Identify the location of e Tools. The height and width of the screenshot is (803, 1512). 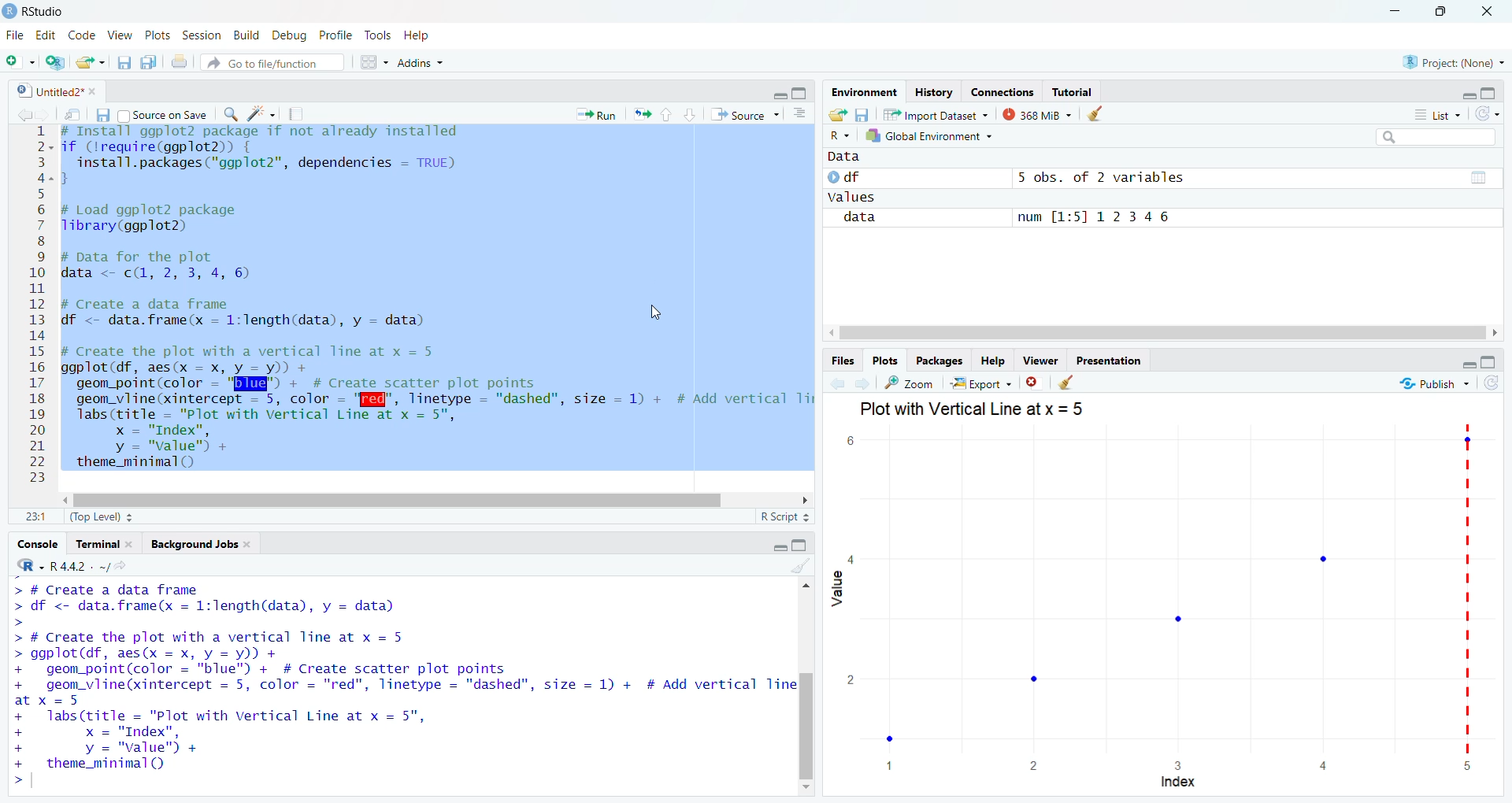
(376, 35).